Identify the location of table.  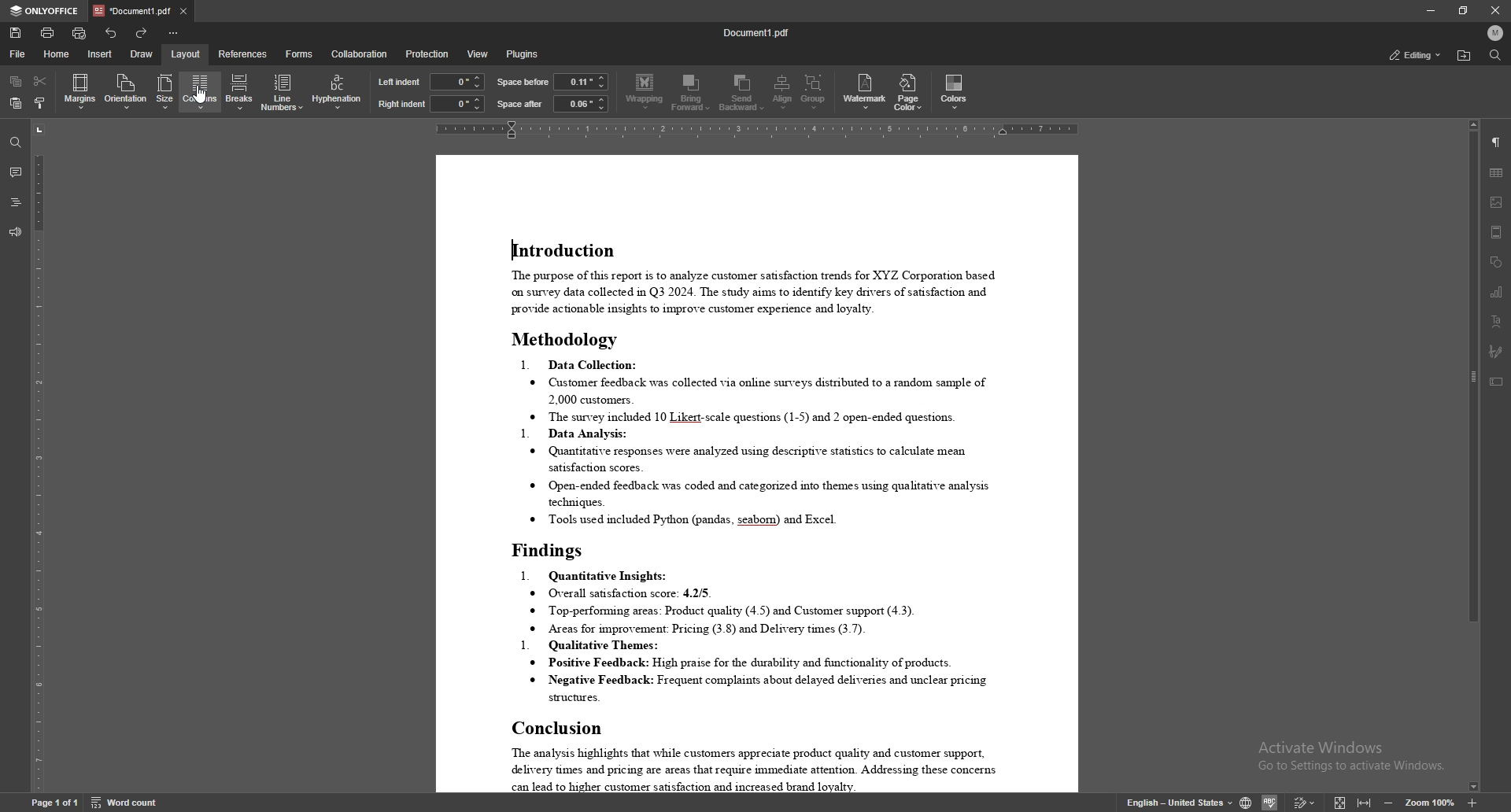
(1497, 173).